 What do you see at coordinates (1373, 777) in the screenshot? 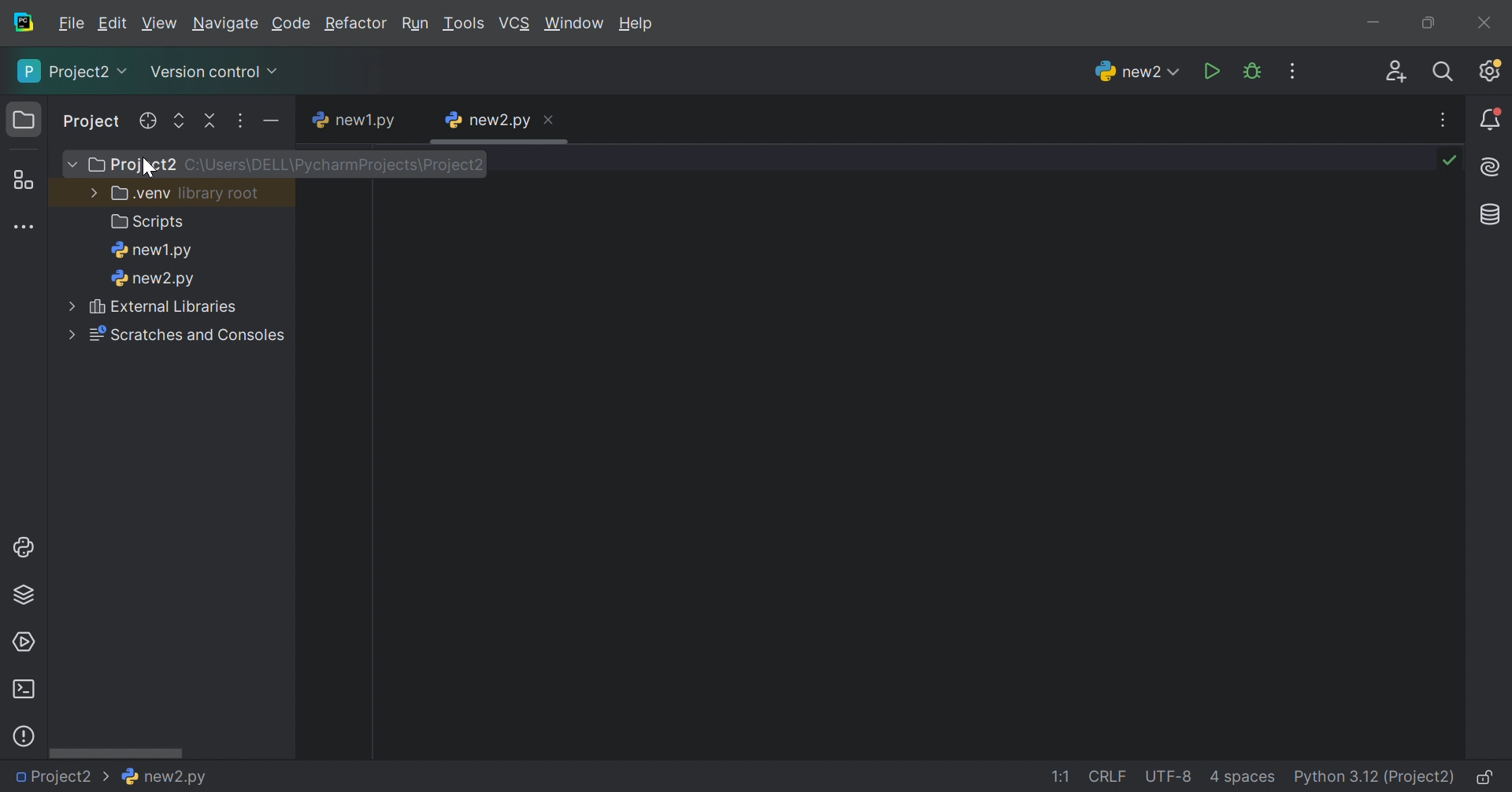
I see `Python 3.12 (Project2)` at bounding box center [1373, 777].